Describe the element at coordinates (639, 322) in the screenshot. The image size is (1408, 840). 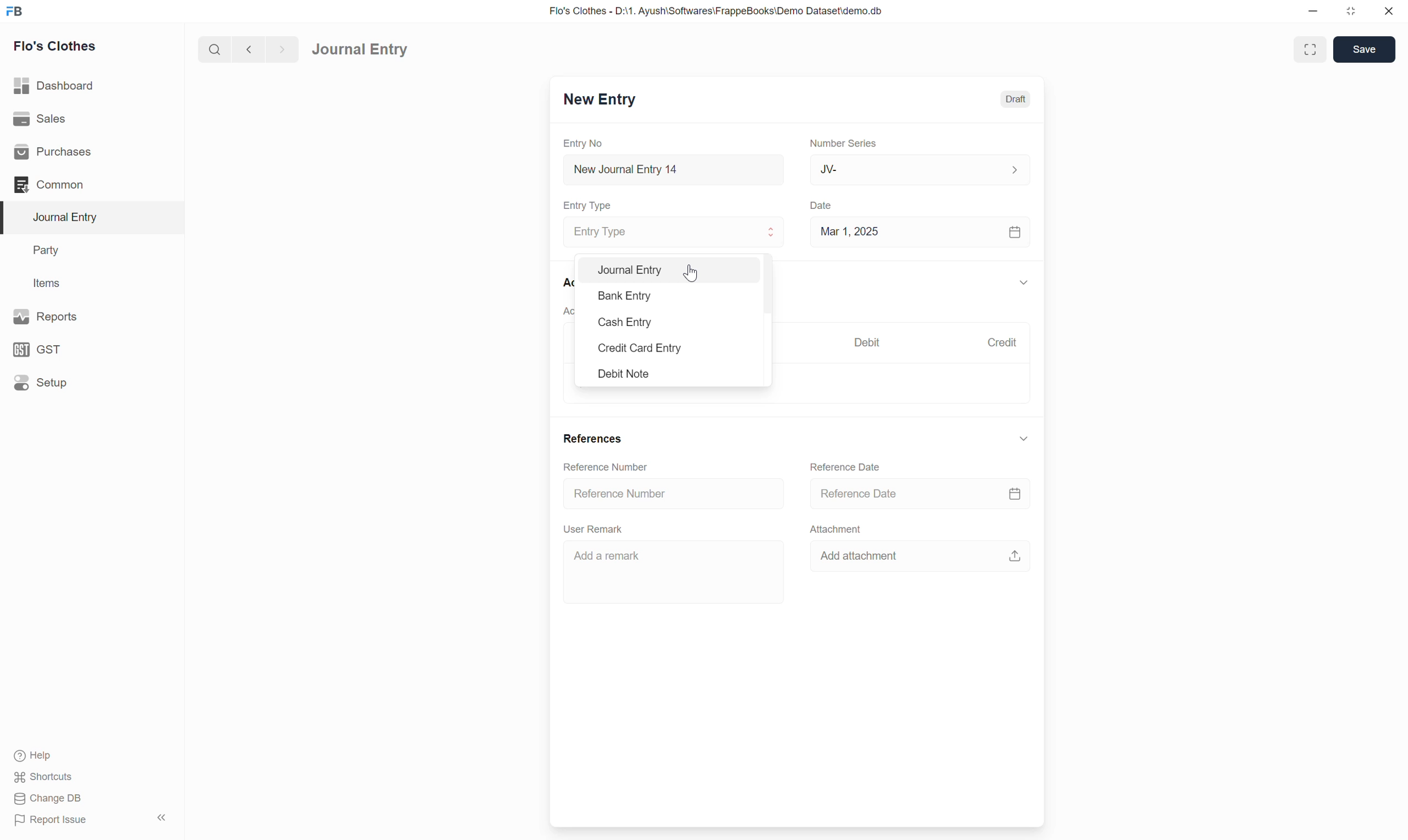
I see `Cash Entry` at that location.